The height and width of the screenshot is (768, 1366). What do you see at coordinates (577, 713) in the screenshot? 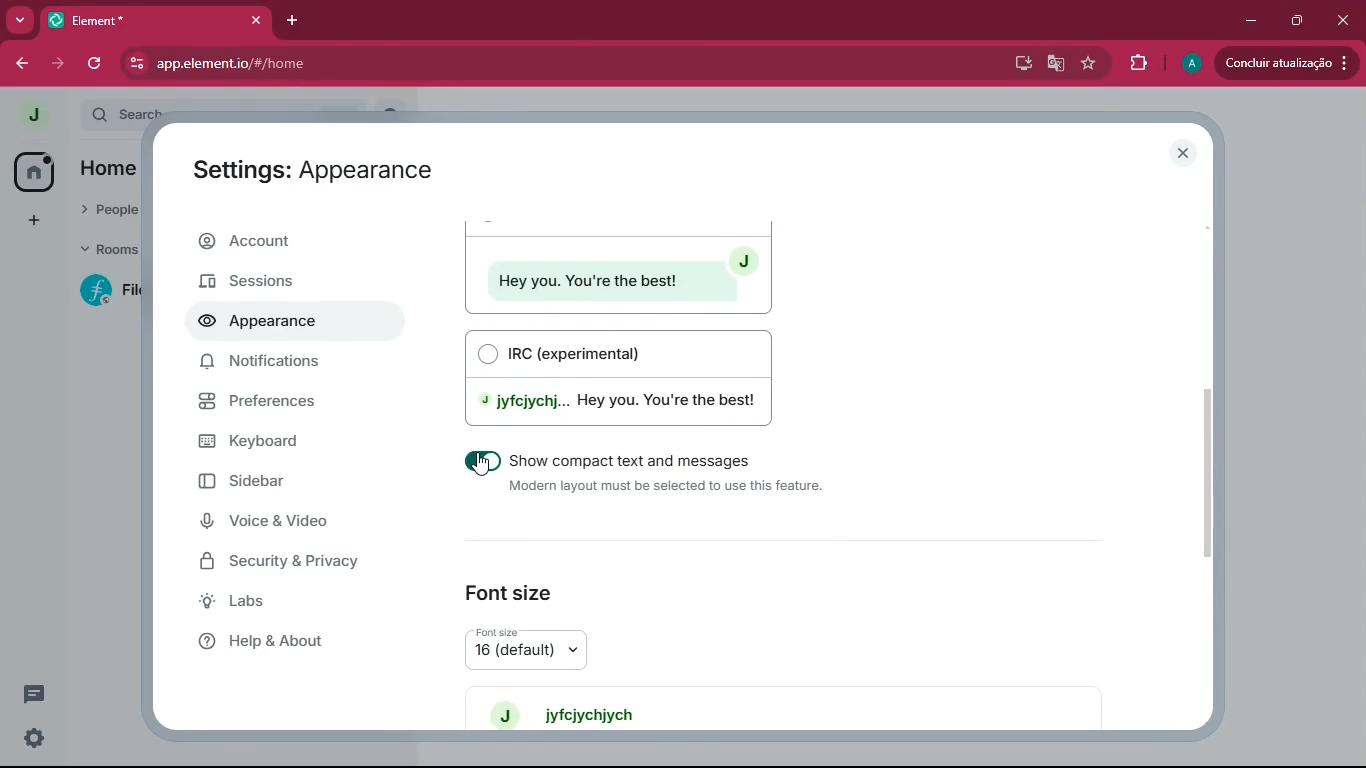
I see `jyfeiychiych` at bounding box center [577, 713].